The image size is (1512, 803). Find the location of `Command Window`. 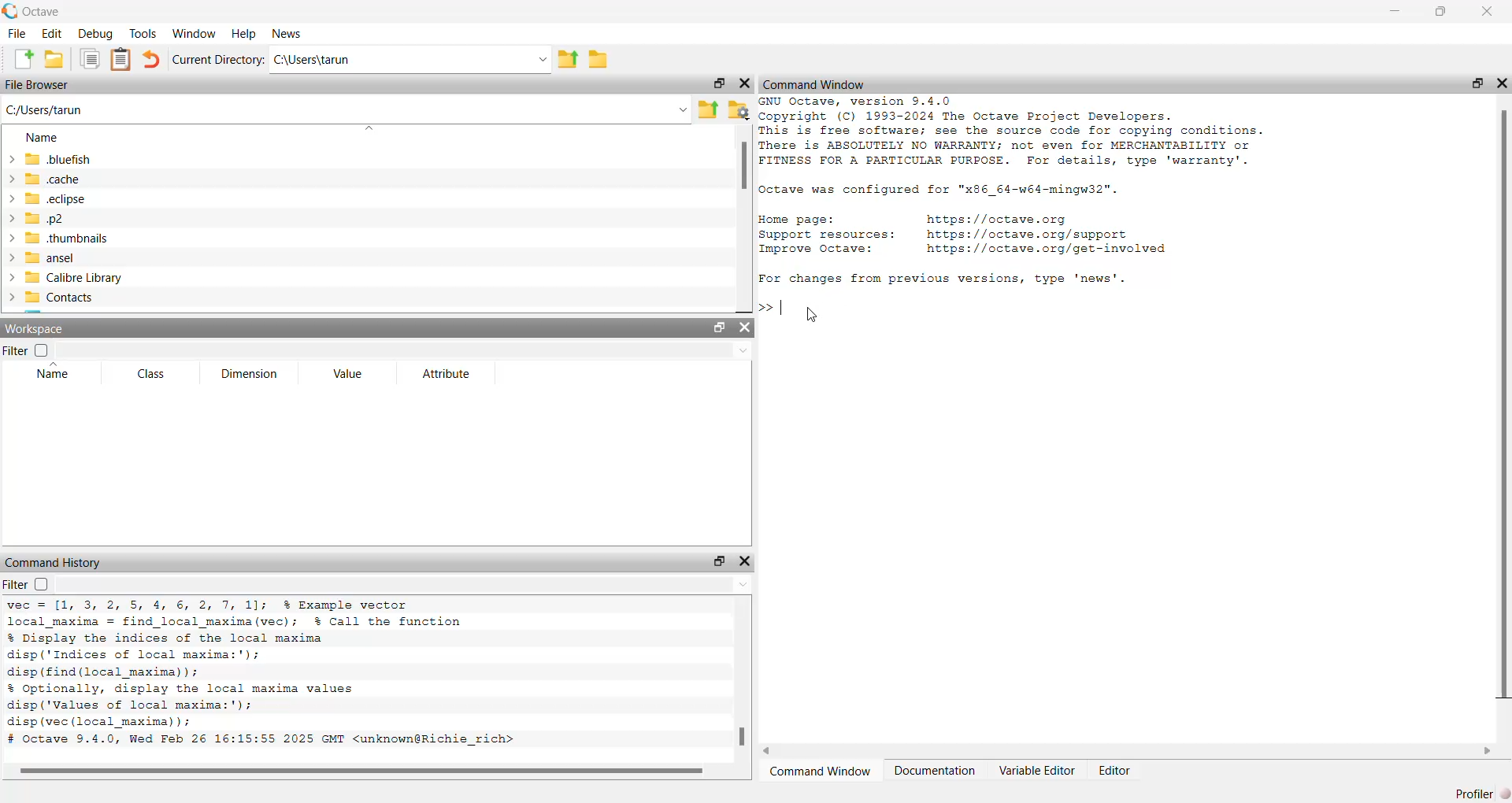

Command Window is located at coordinates (820, 771).